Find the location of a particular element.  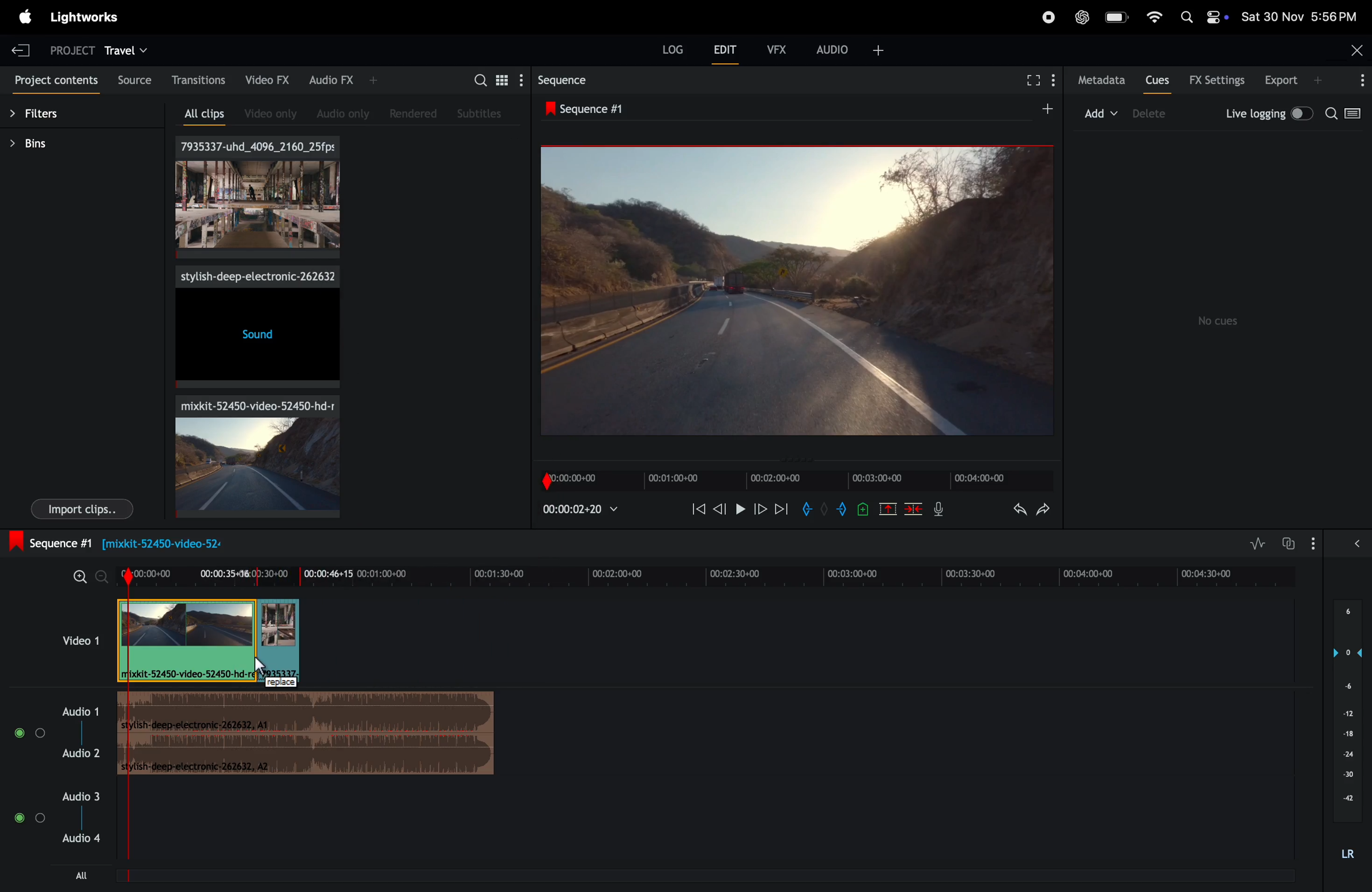

log is located at coordinates (665, 50).